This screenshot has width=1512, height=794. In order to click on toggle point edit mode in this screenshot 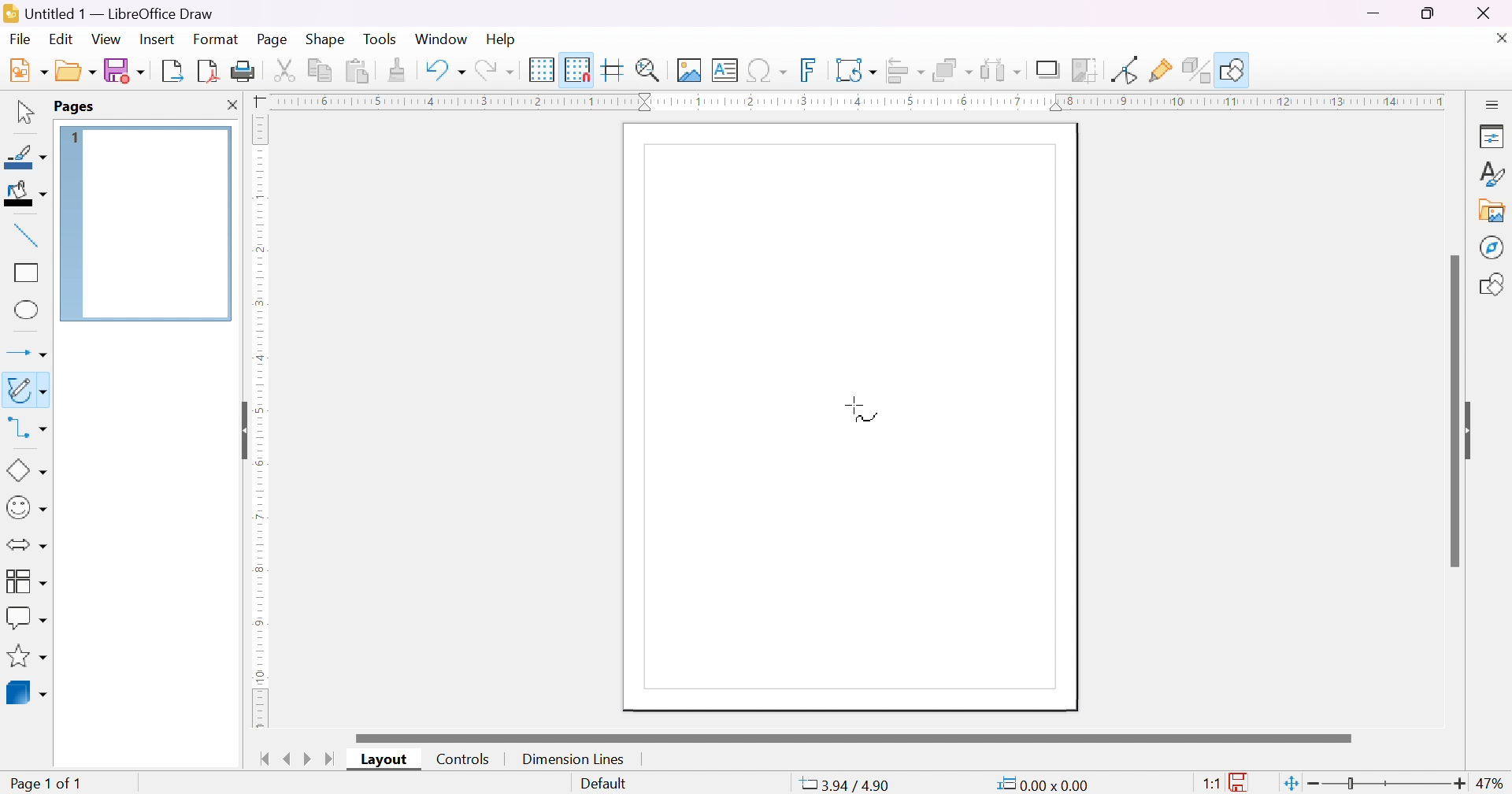, I will do `click(1128, 69)`.